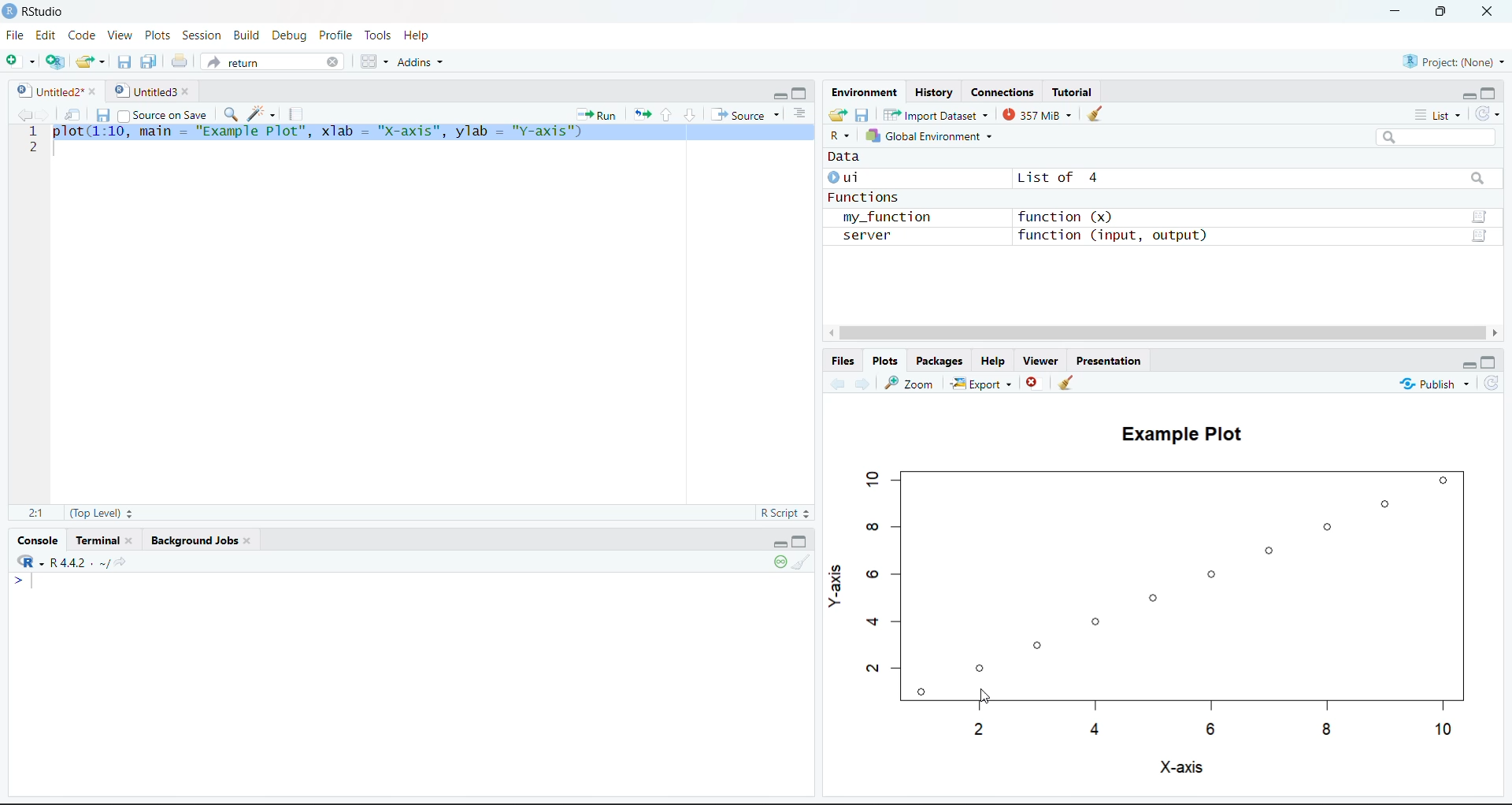 Image resolution: width=1512 pixels, height=805 pixels. I want to click on Print the current file, so click(177, 61).